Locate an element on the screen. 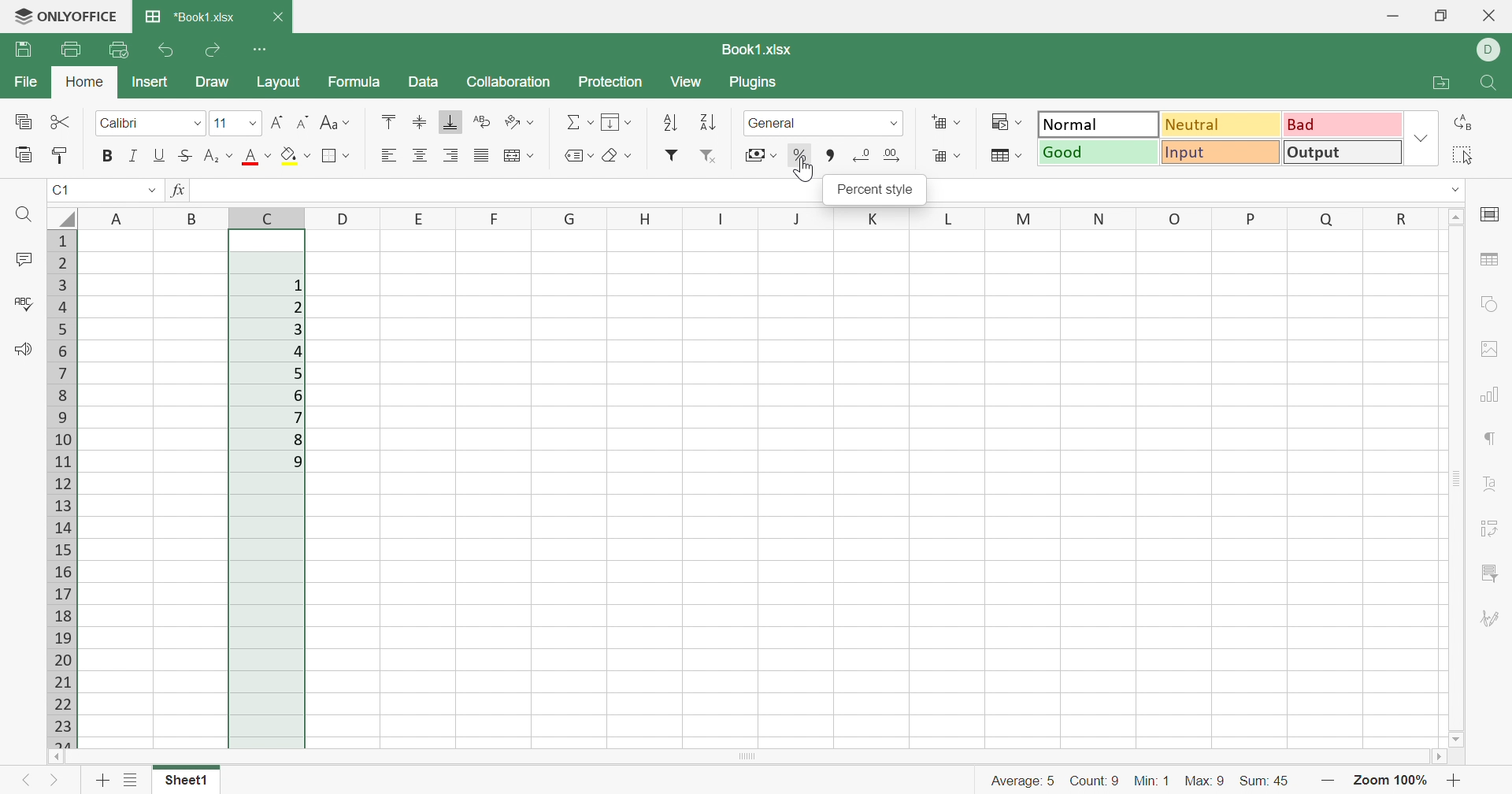 This screenshot has width=1512, height=794. Decrease decimals is located at coordinates (863, 157).